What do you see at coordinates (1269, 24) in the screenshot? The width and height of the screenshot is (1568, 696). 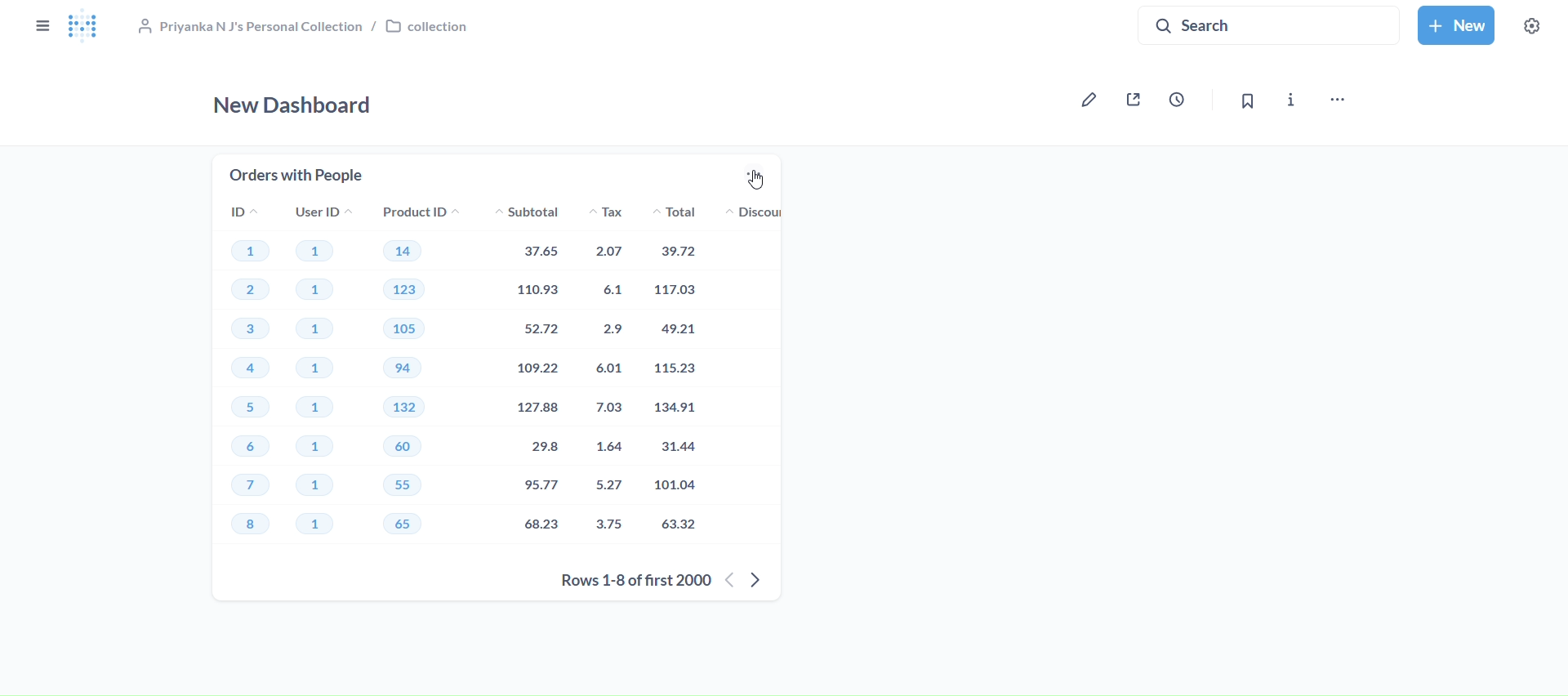 I see `search` at bounding box center [1269, 24].